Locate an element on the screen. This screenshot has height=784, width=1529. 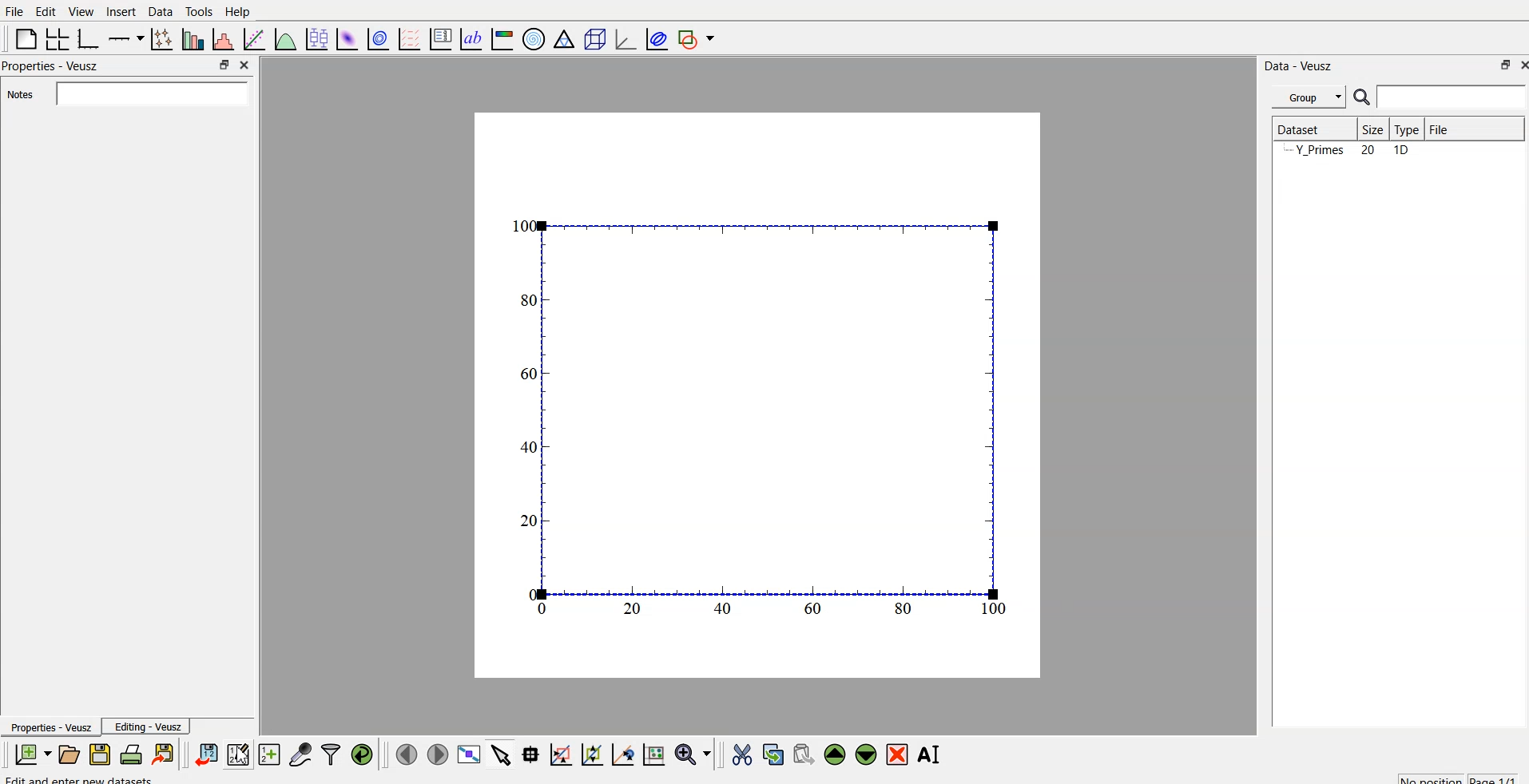
create a new dataset is located at coordinates (269, 756).